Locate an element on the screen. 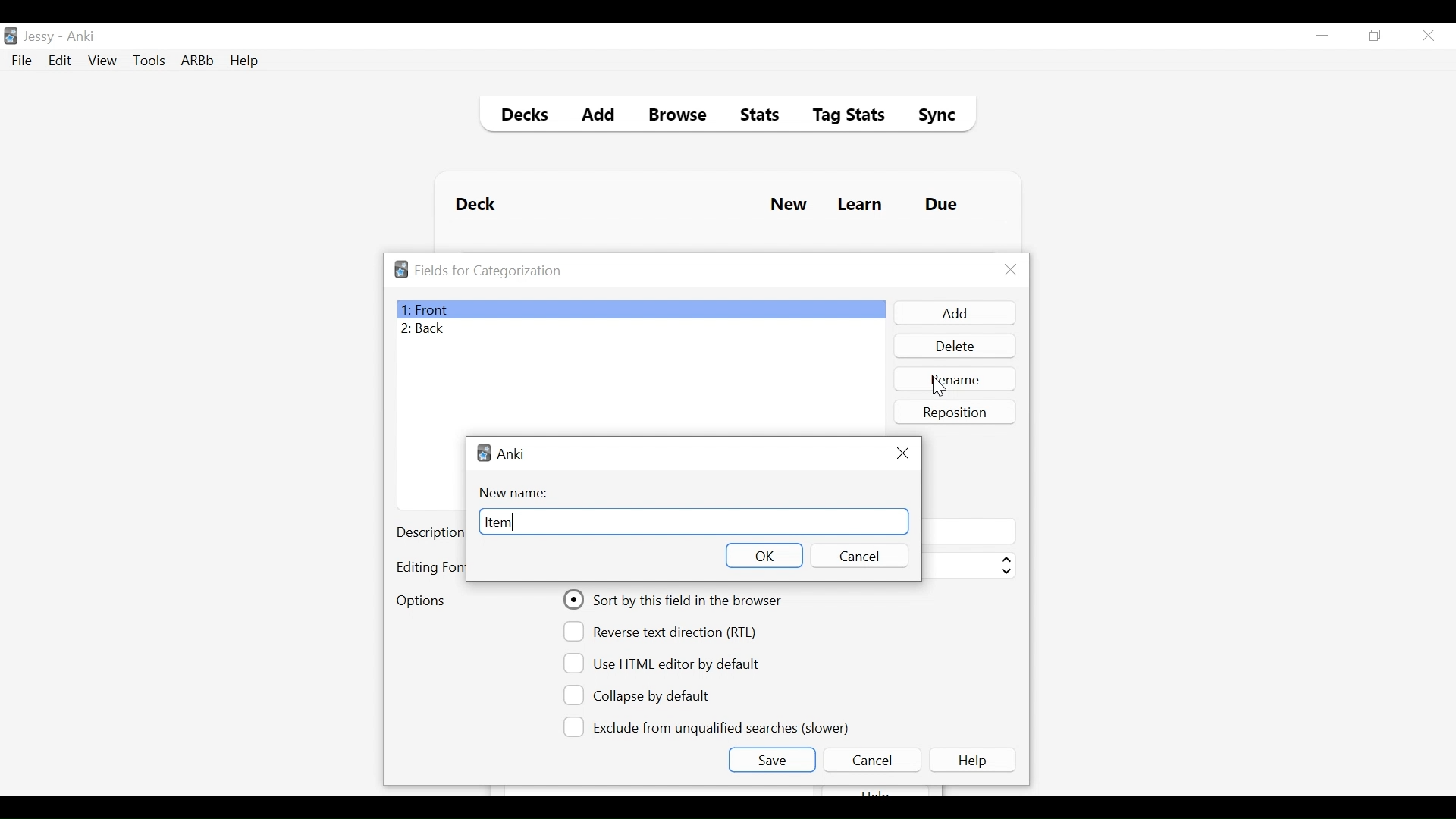 This screenshot has height=819, width=1456. (un)select RTL is located at coordinates (667, 632).